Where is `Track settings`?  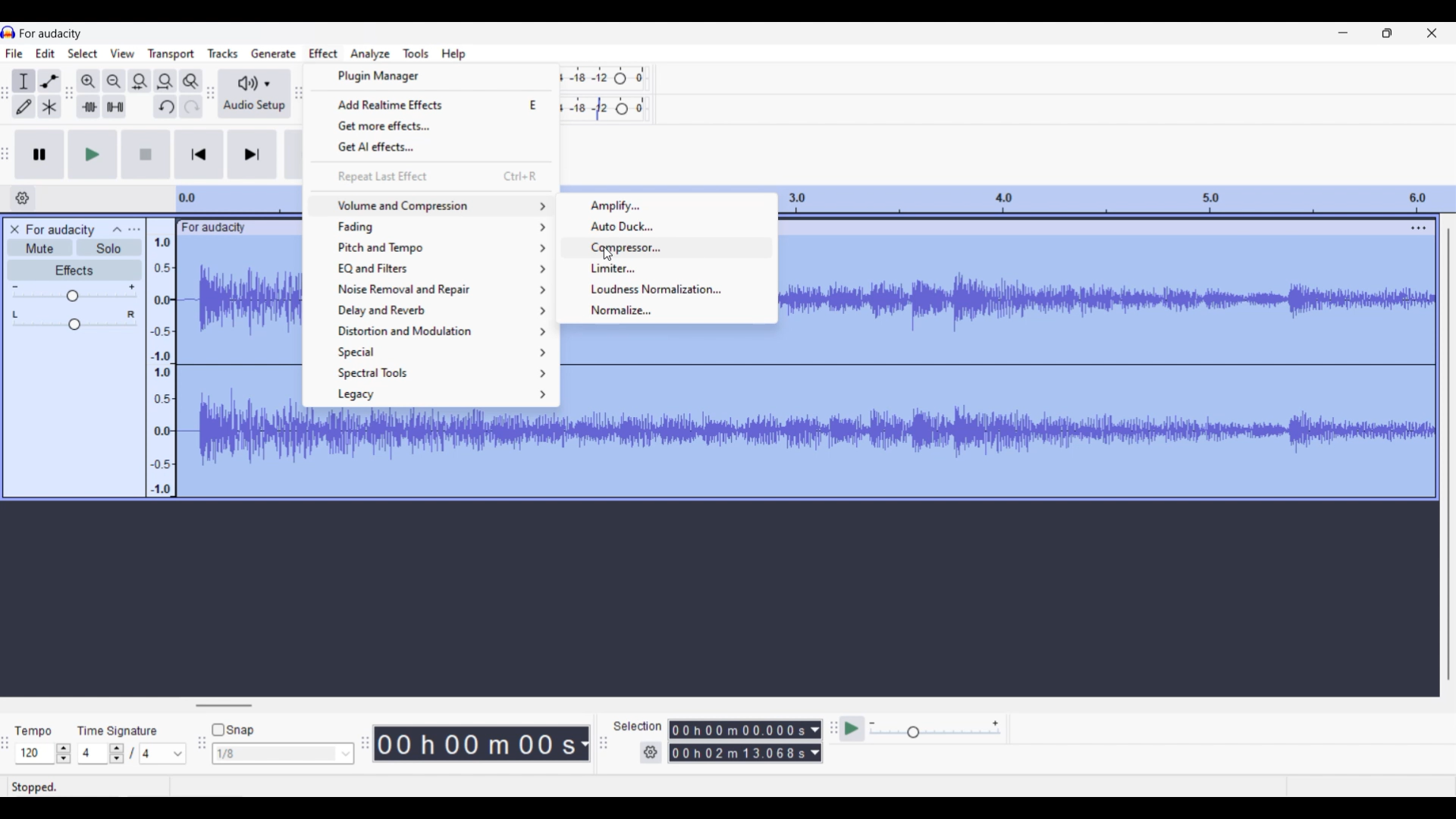
Track settings is located at coordinates (1419, 227).